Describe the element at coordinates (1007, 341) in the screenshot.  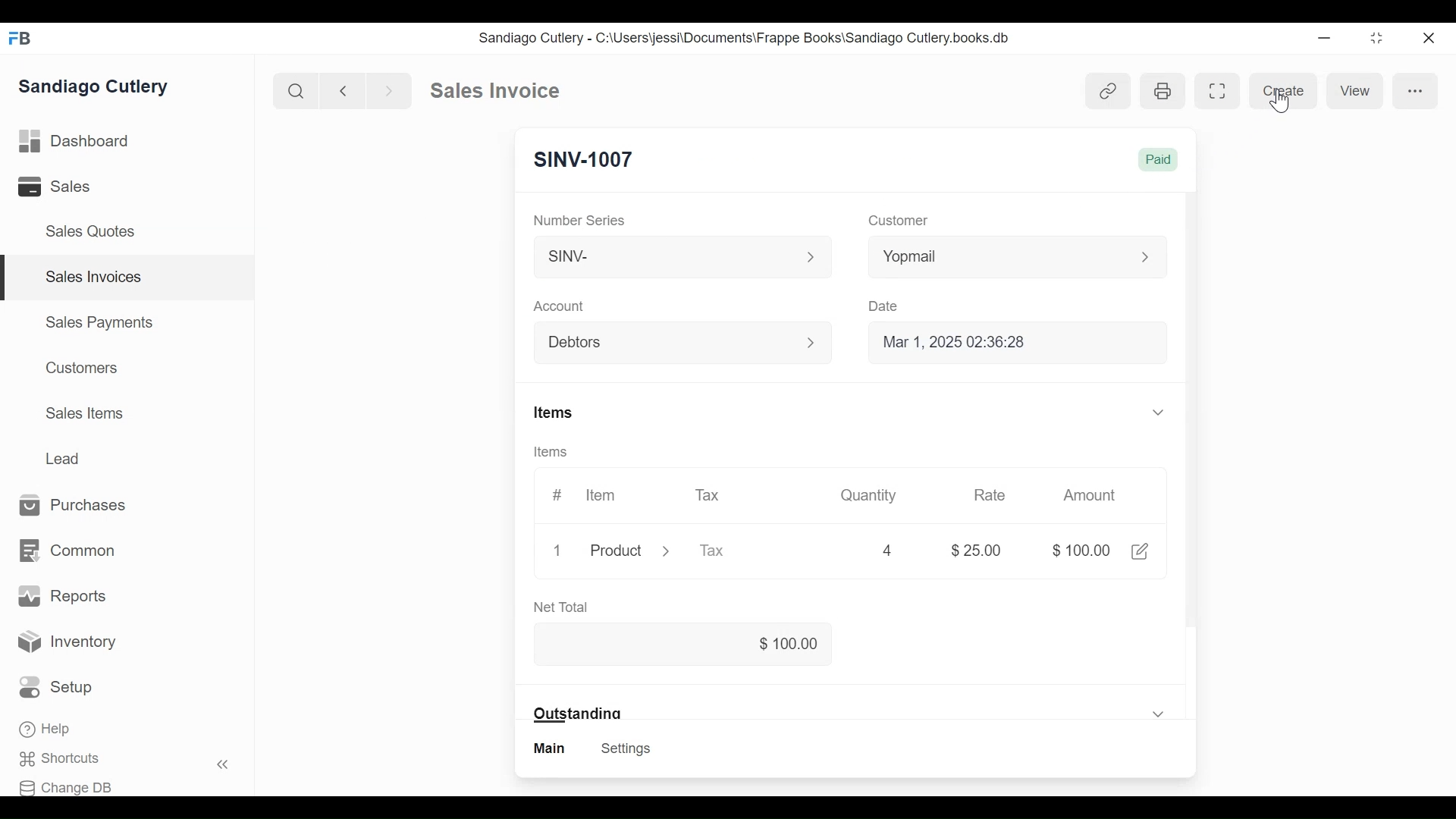
I see ` Mar 1, 2025 02:36:28` at that location.